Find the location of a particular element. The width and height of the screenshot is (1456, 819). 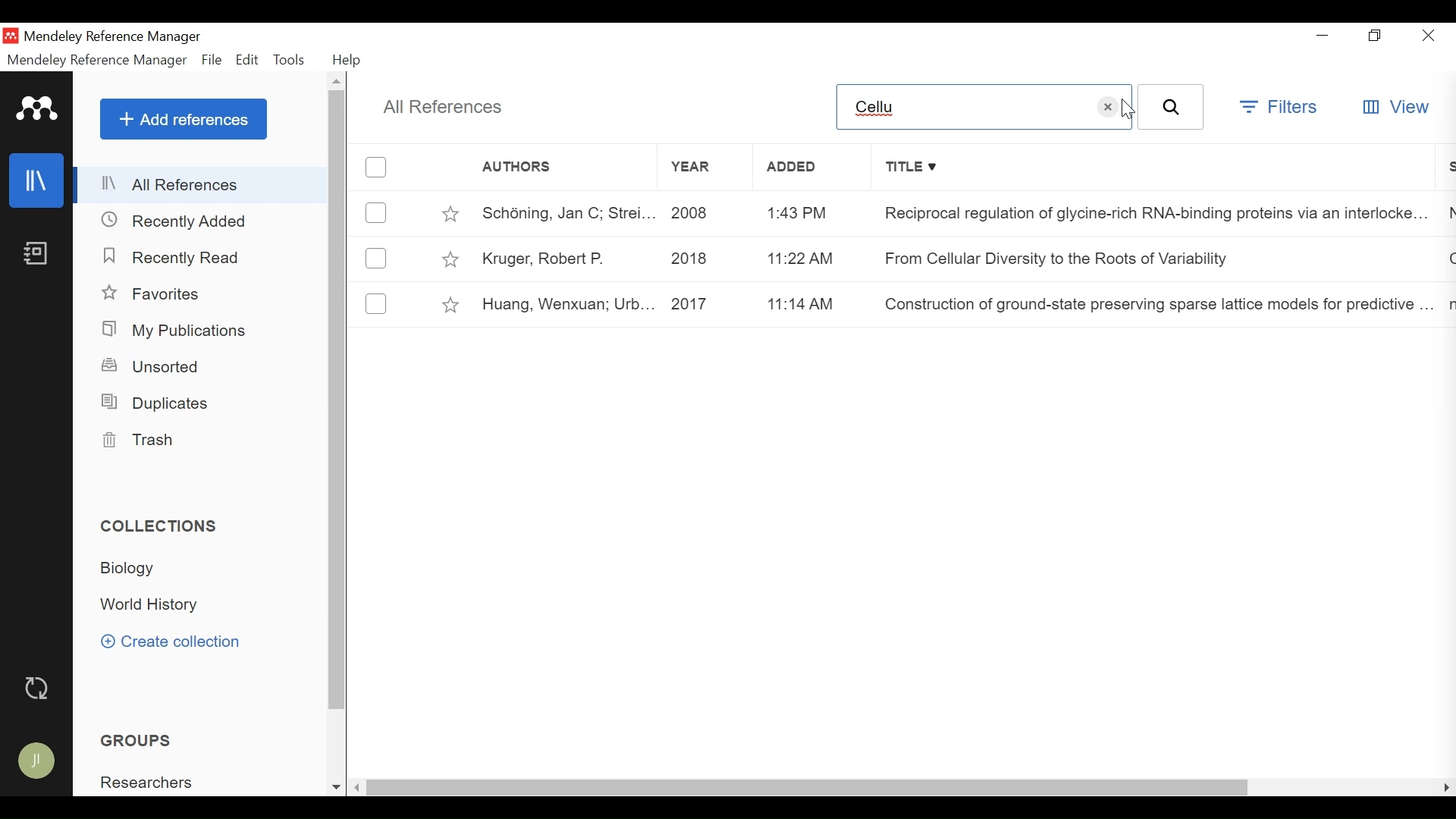

cursor is located at coordinates (1109, 105).